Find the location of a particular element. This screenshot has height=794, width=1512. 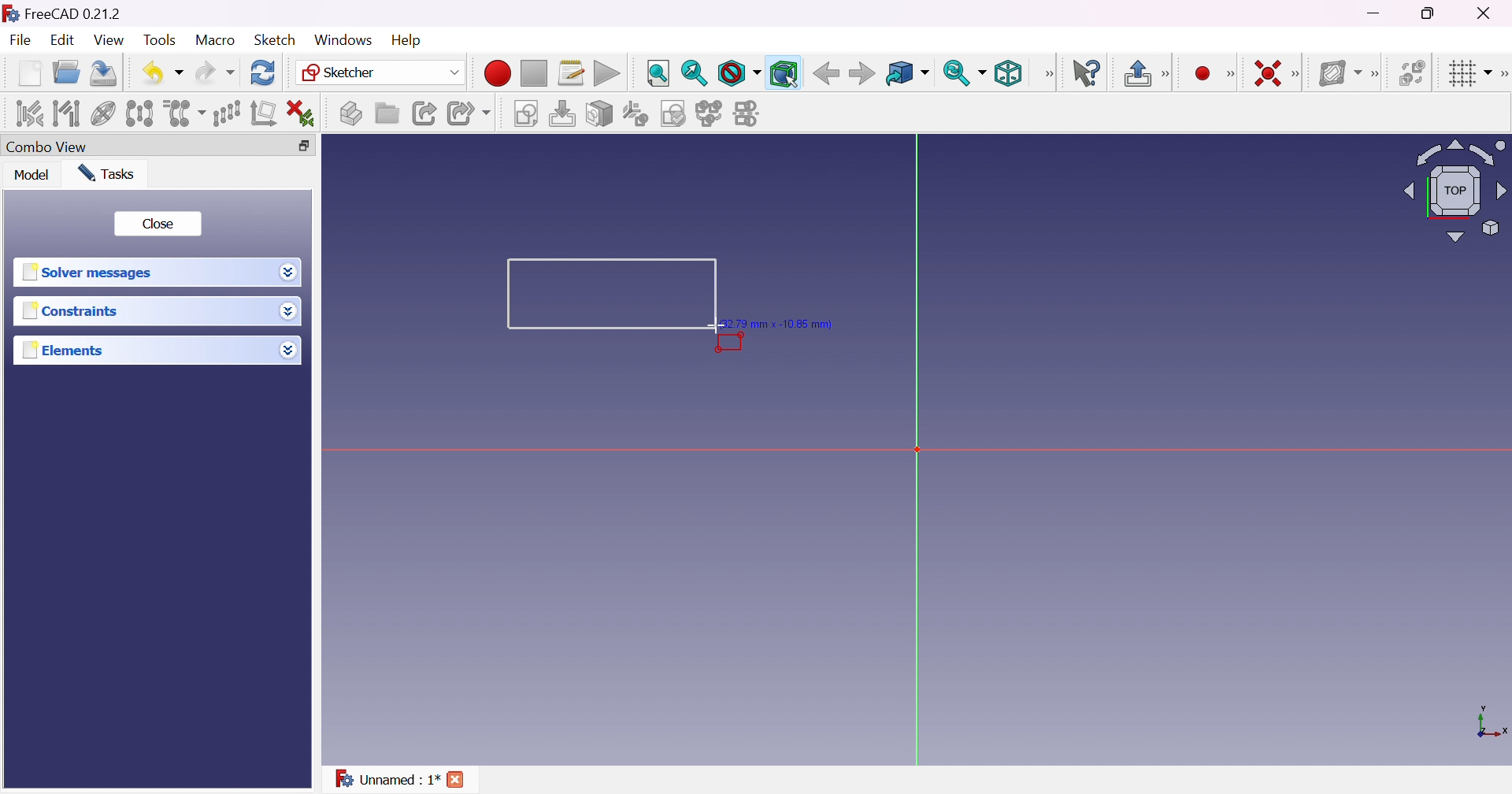

Bounding box is located at coordinates (784, 74).